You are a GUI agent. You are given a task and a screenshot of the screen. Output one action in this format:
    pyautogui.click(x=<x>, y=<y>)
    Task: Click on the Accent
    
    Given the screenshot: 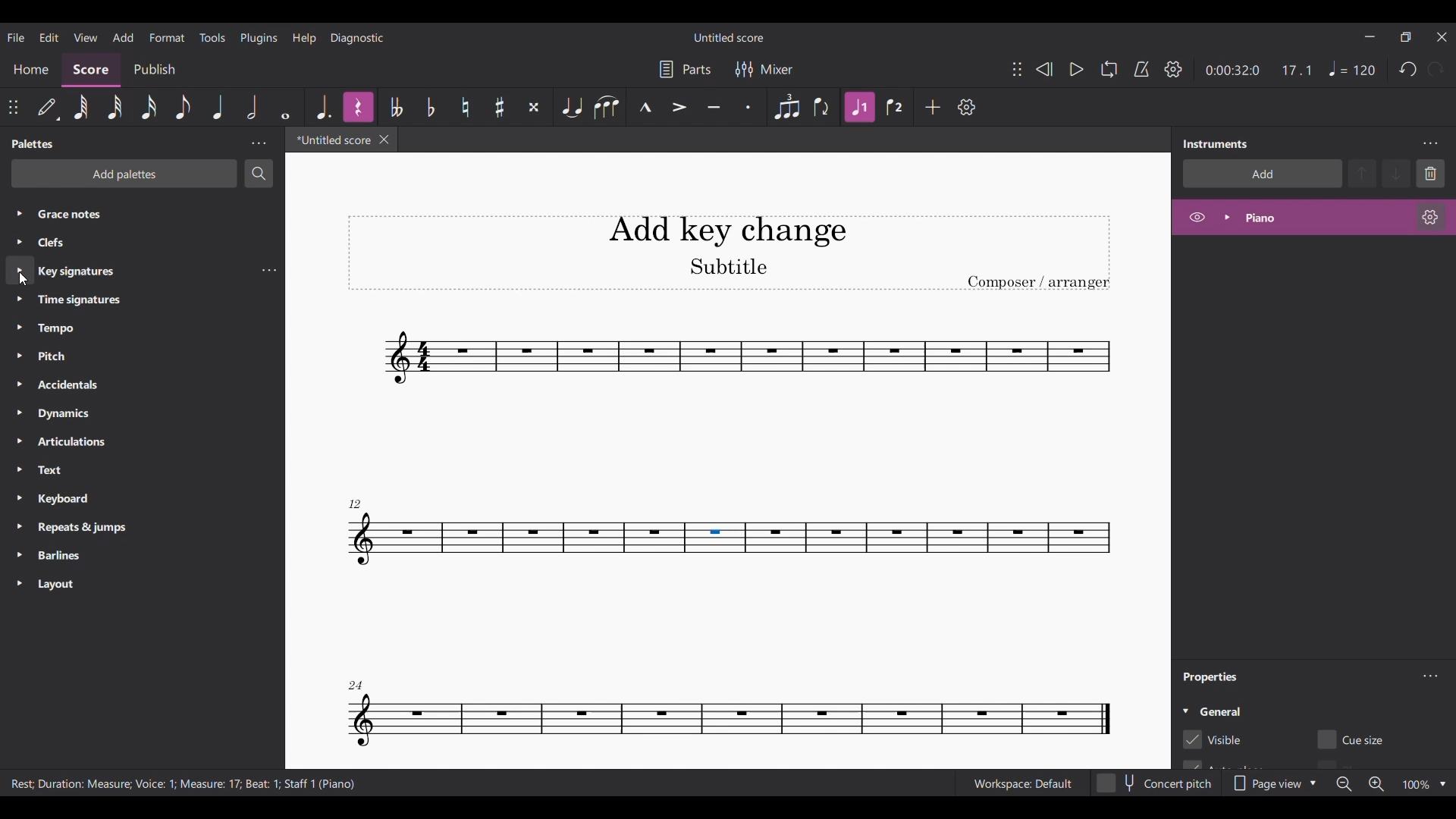 What is the action you would take?
    pyautogui.click(x=679, y=107)
    